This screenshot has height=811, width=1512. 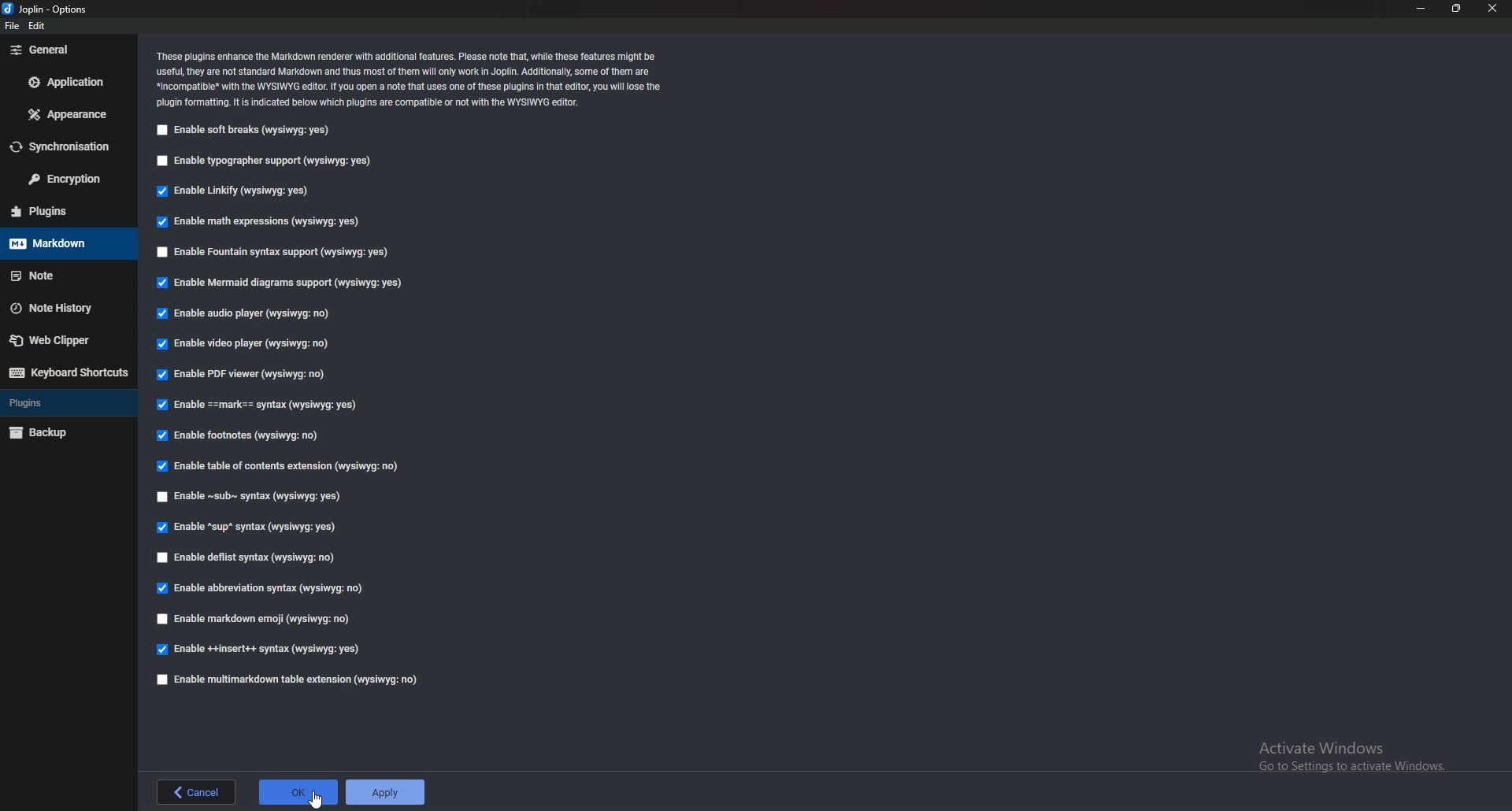 What do you see at coordinates (244, 434) in the screenshot?
I see `Enable footnotes (wysiwyg: no)` at bounding box center [244, 434].